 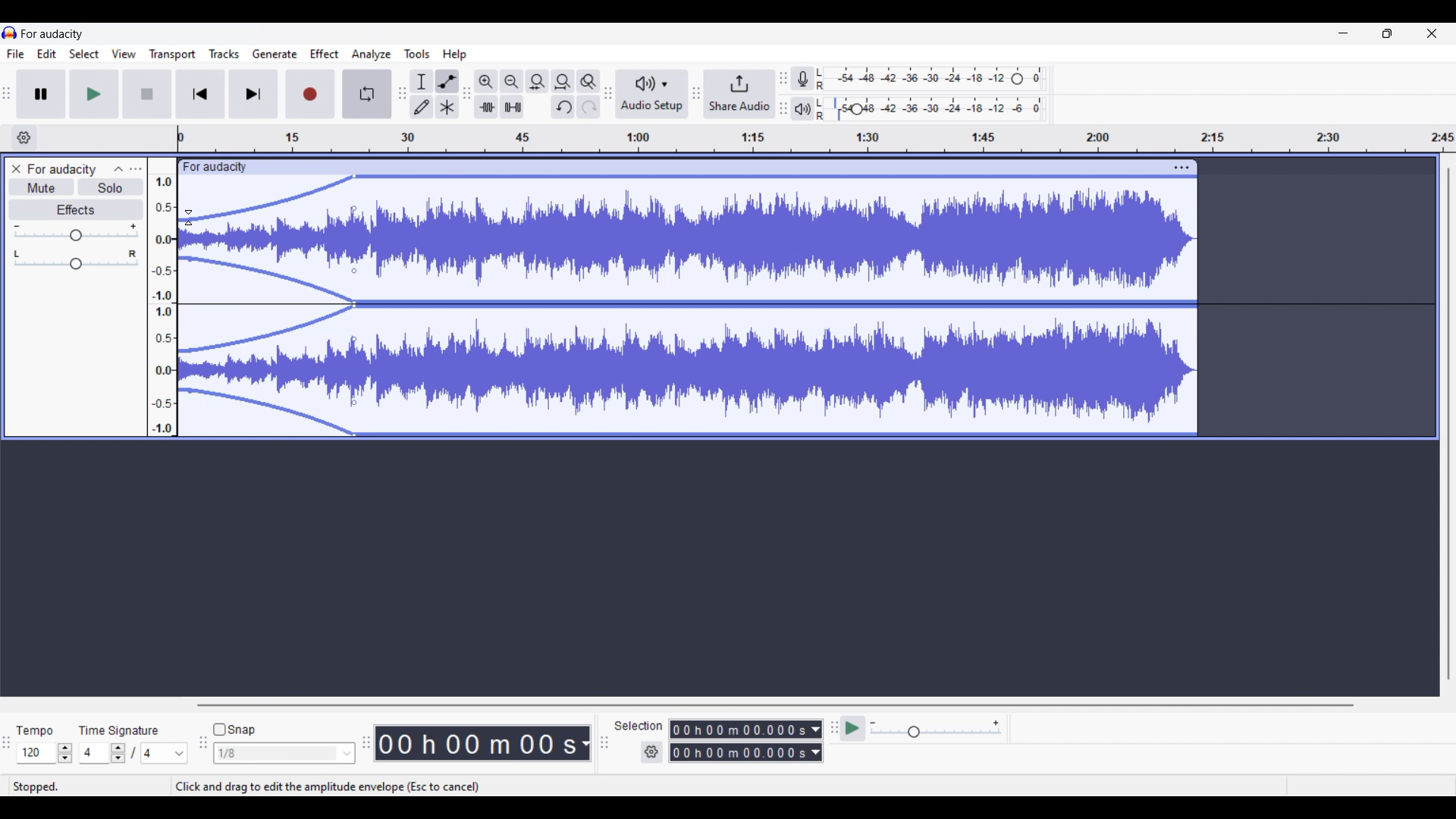 What do you see at coordinates (33, 731) in the screenshot?
I see `tempo` at bounding box center [33, 731].